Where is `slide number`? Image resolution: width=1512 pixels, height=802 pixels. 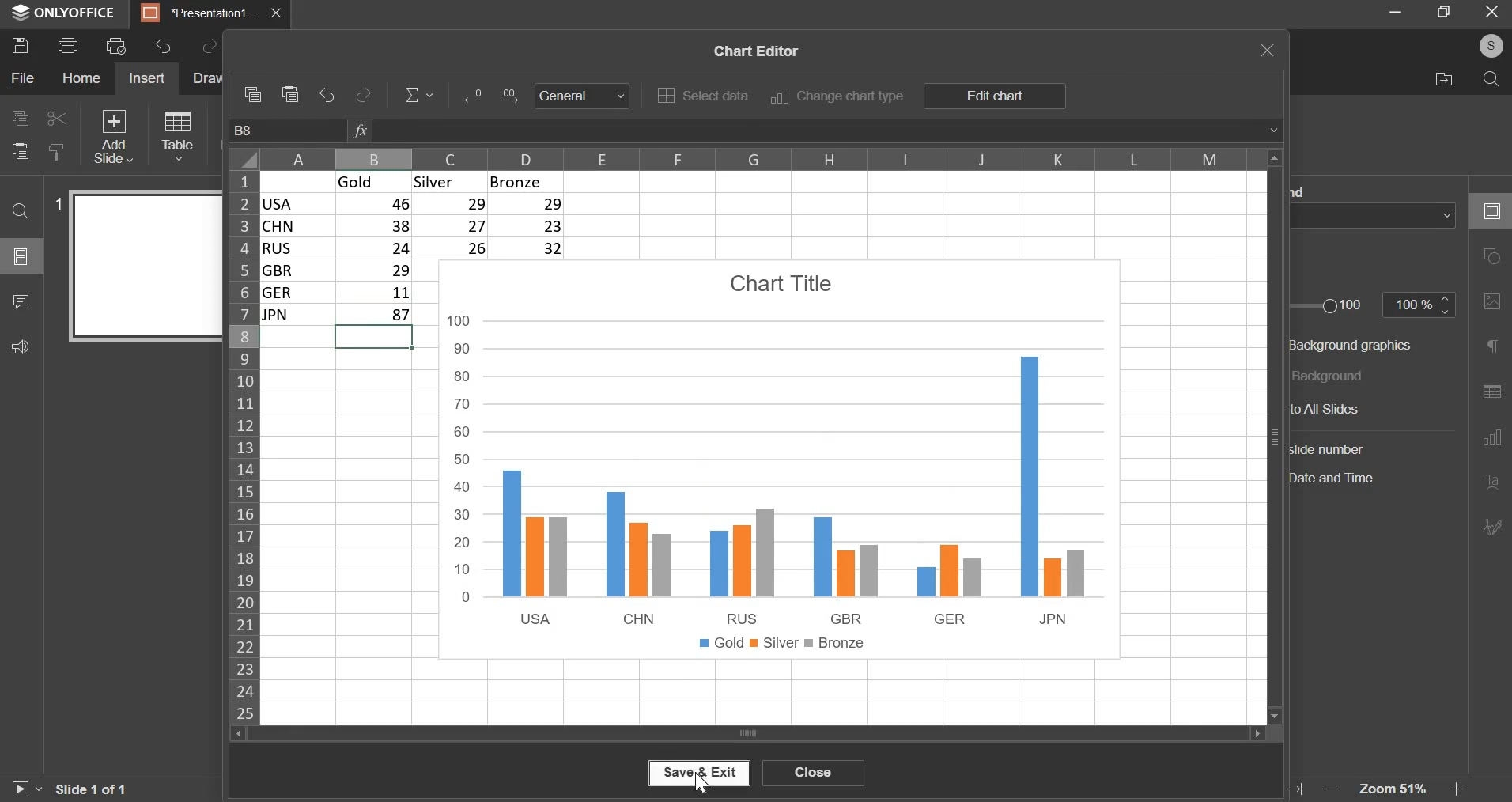 slide number is located at coordinates (60, 202).